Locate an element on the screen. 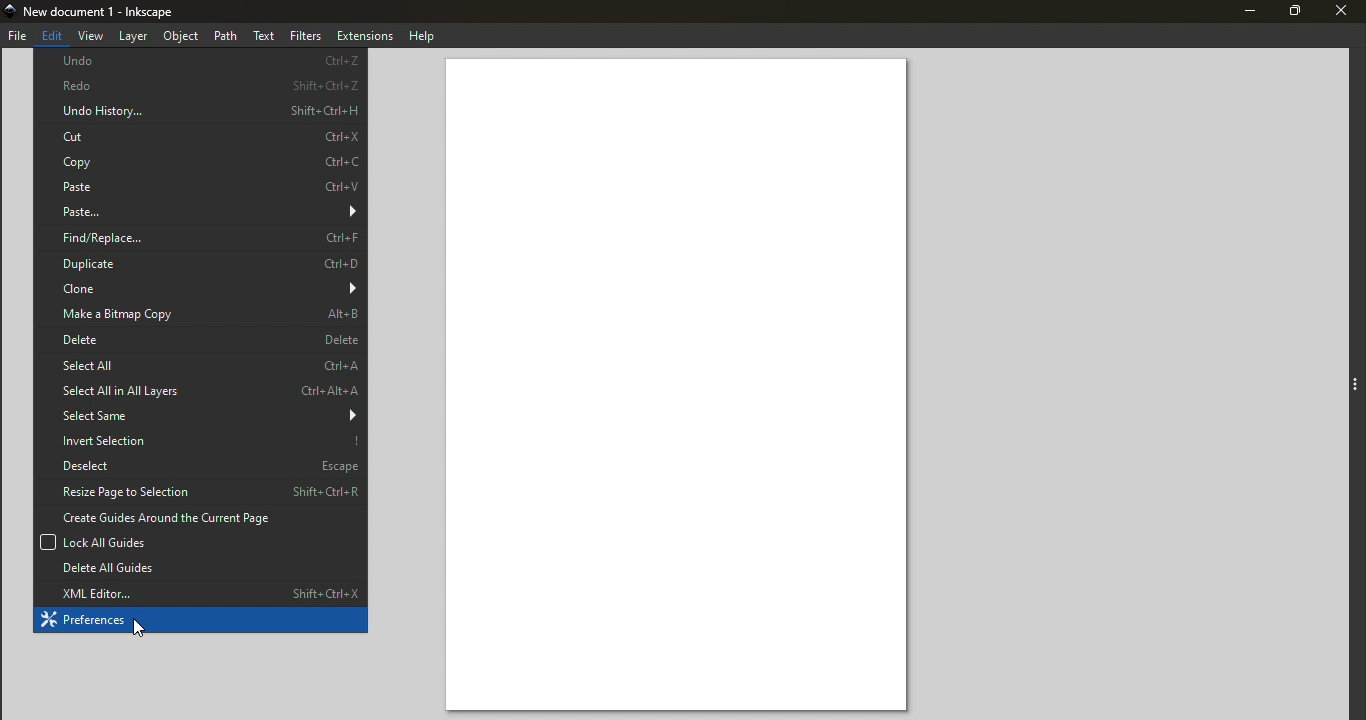 The height and width of the screenshot is (720, 1366). Text is located at coordinates (265, 34).